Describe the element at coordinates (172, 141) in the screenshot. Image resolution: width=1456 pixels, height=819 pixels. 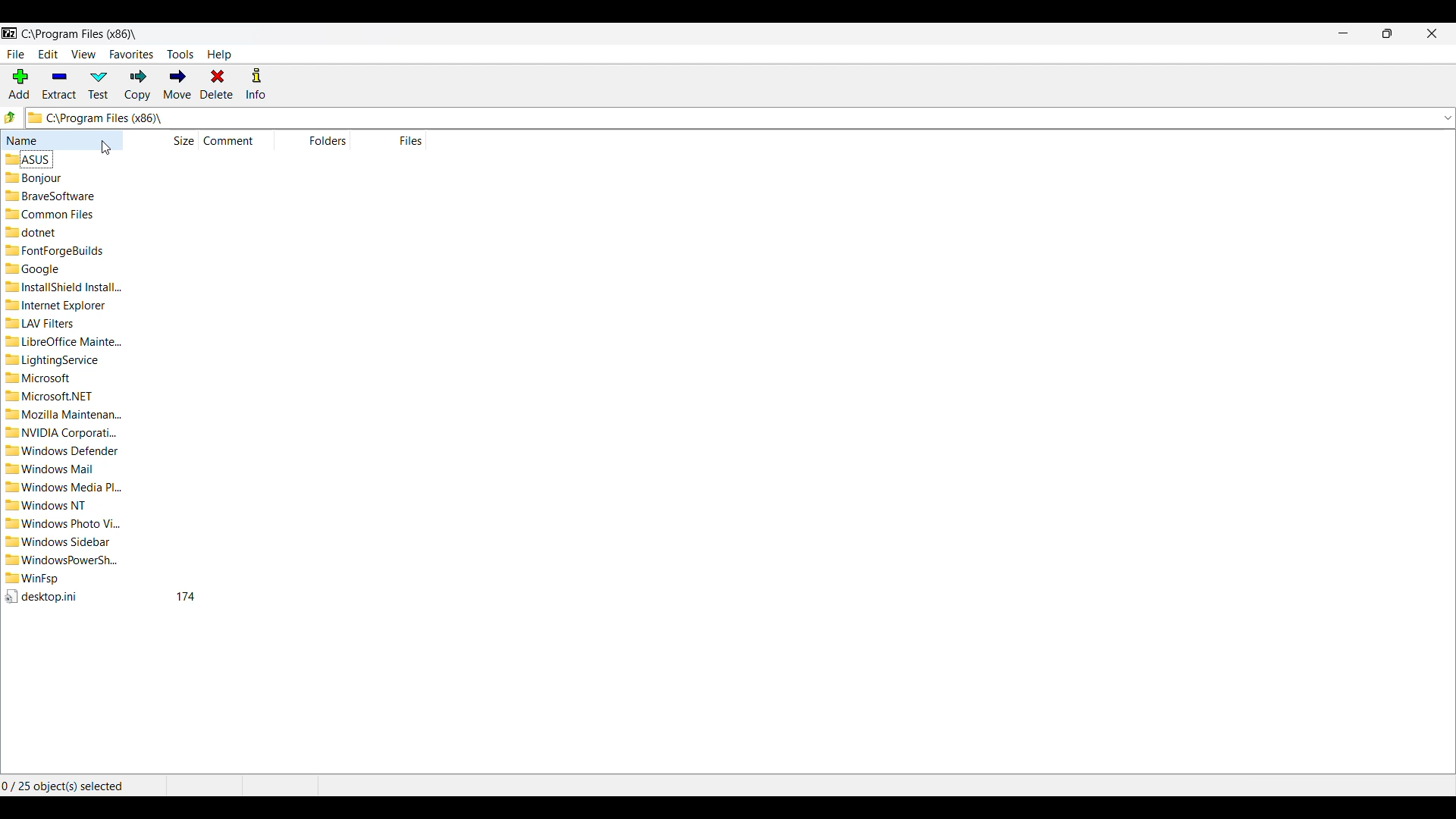
I see `Size column` at that location.